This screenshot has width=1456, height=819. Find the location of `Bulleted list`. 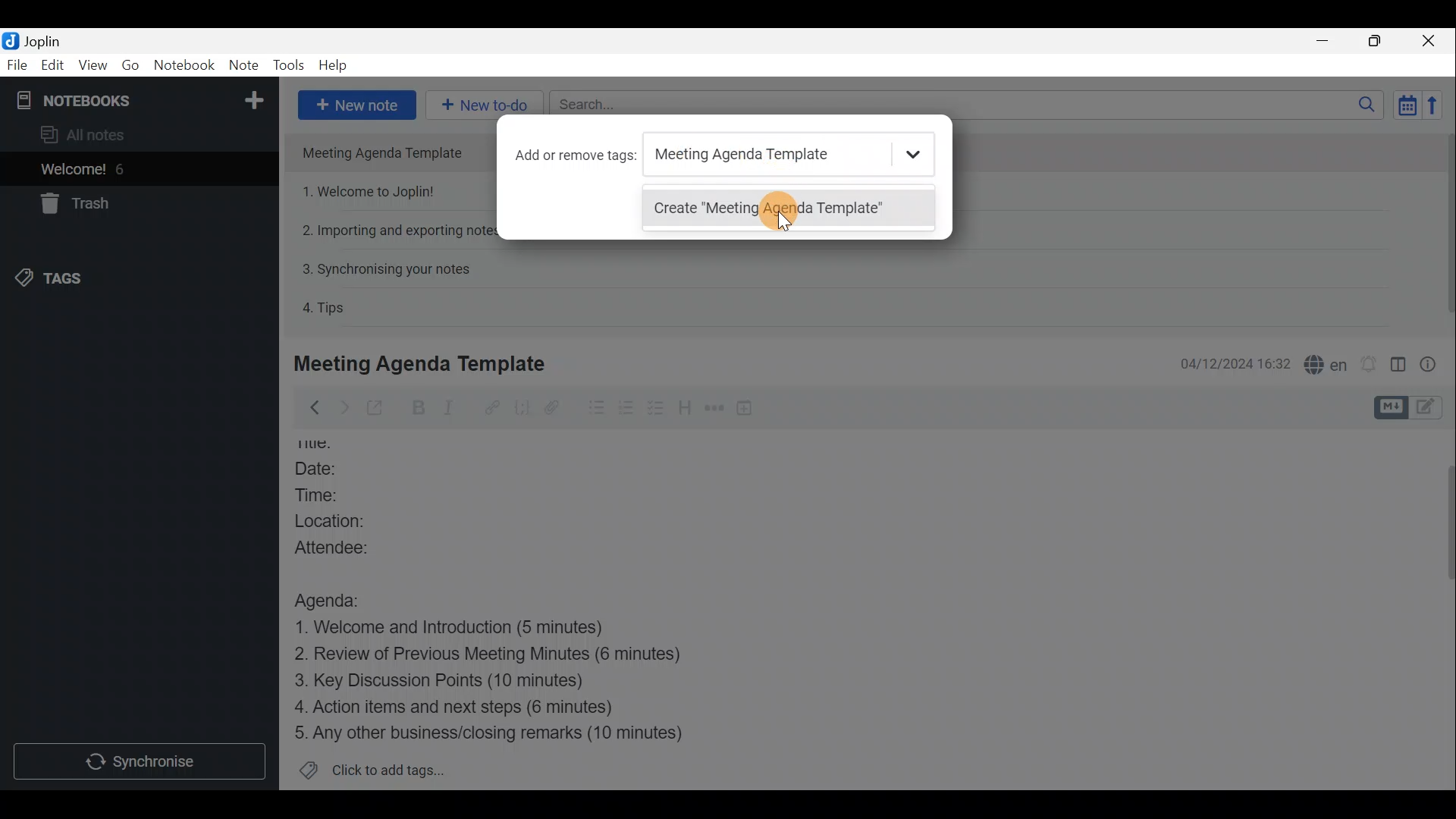

Bulleted list is located at coordinates (595, 408).